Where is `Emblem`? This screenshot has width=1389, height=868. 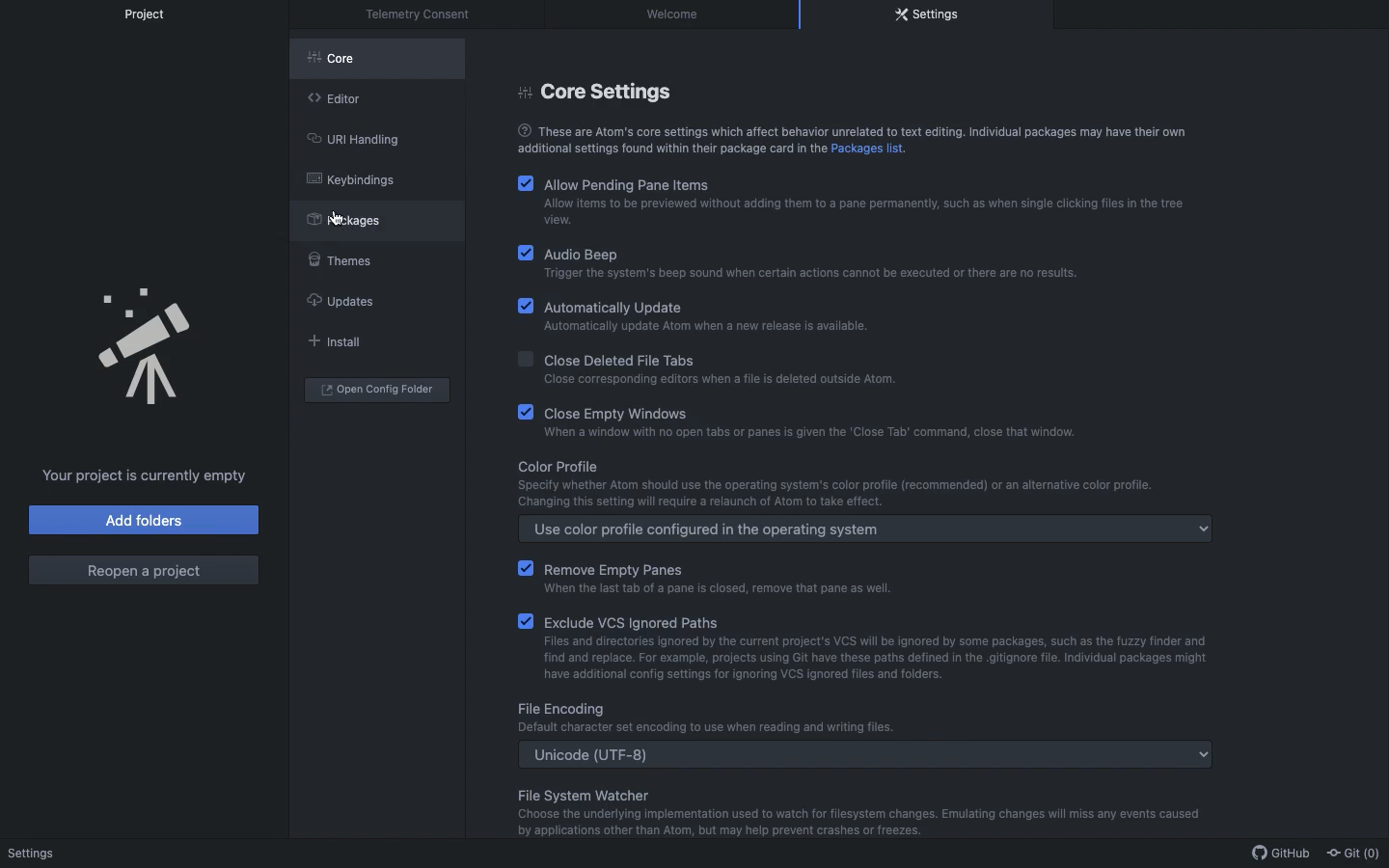
Emblem is located at coordinates (148, 348).